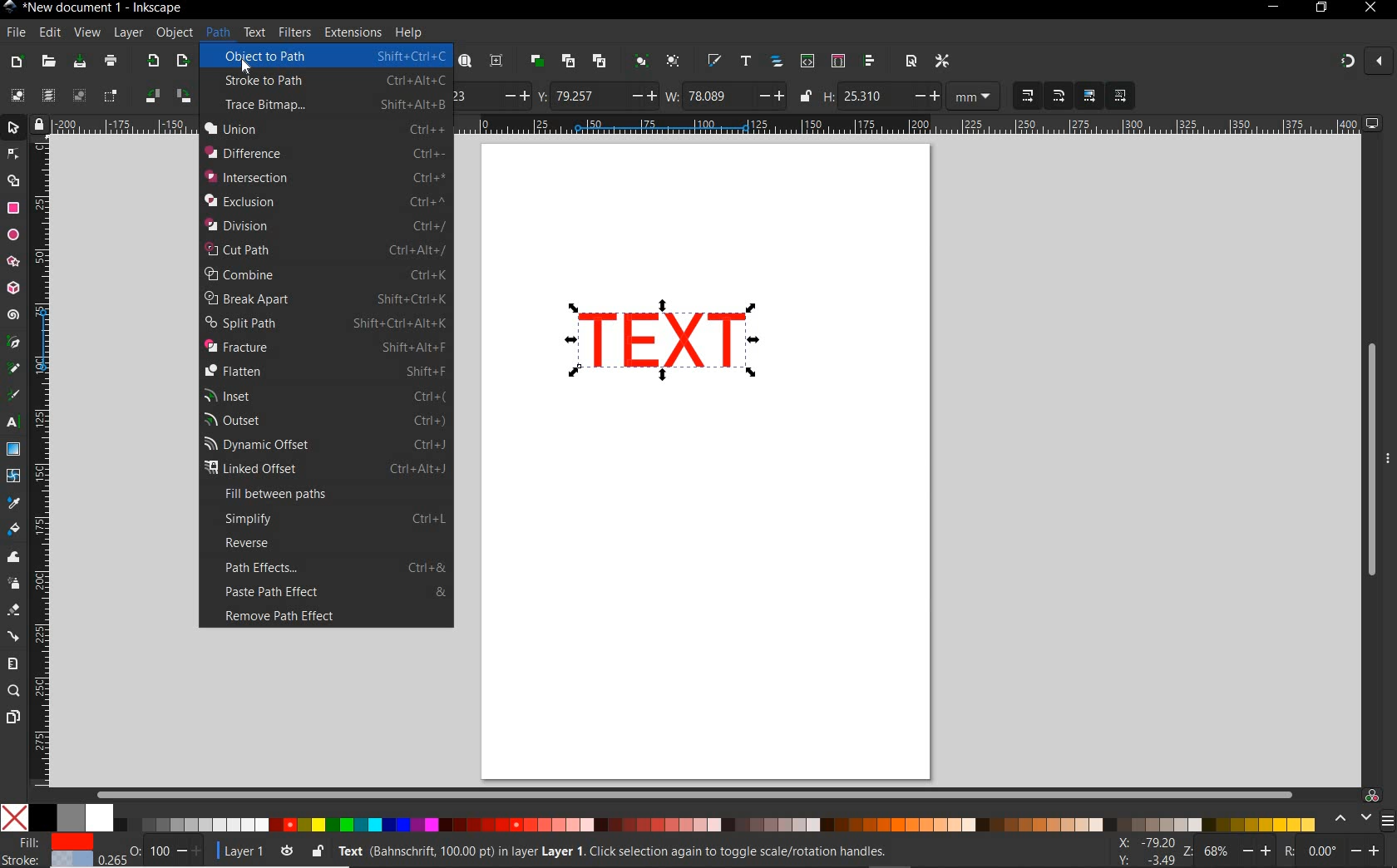 Image resolution: width=1397 pixels, height=868 pixels. Describe the element at coordinates (14, 692) in the screenshot. I see `ZOOM TOOL` at that location.